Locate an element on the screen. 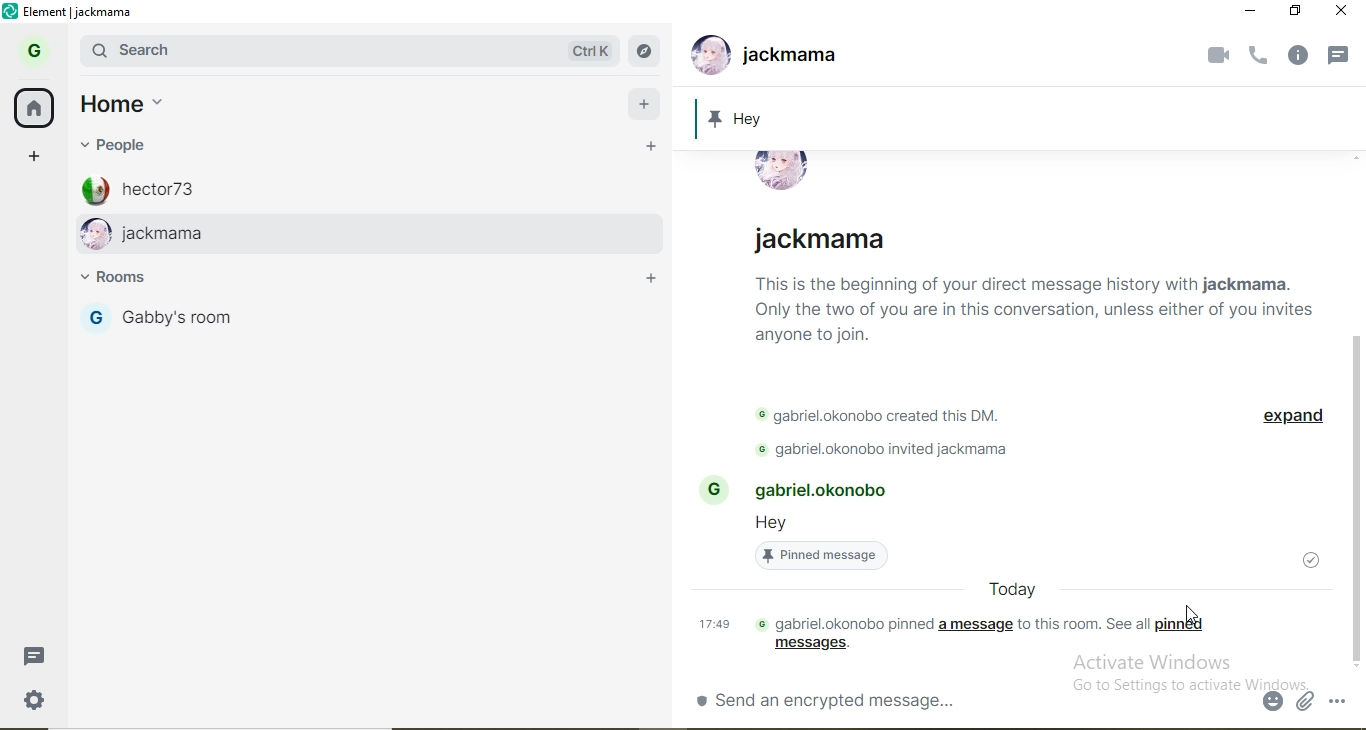 The image size is (1366, 730). navigate is located at coordinates (646, 49).